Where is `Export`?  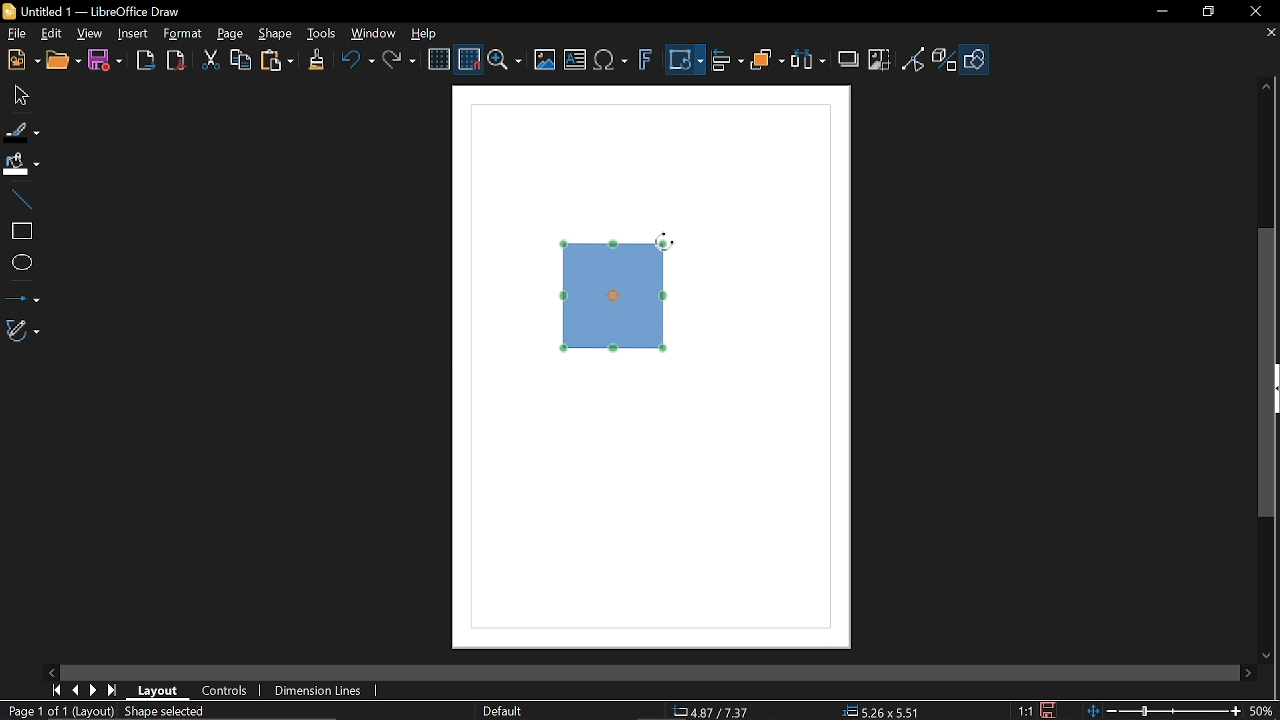
Export is located at coordinates (142, 60).